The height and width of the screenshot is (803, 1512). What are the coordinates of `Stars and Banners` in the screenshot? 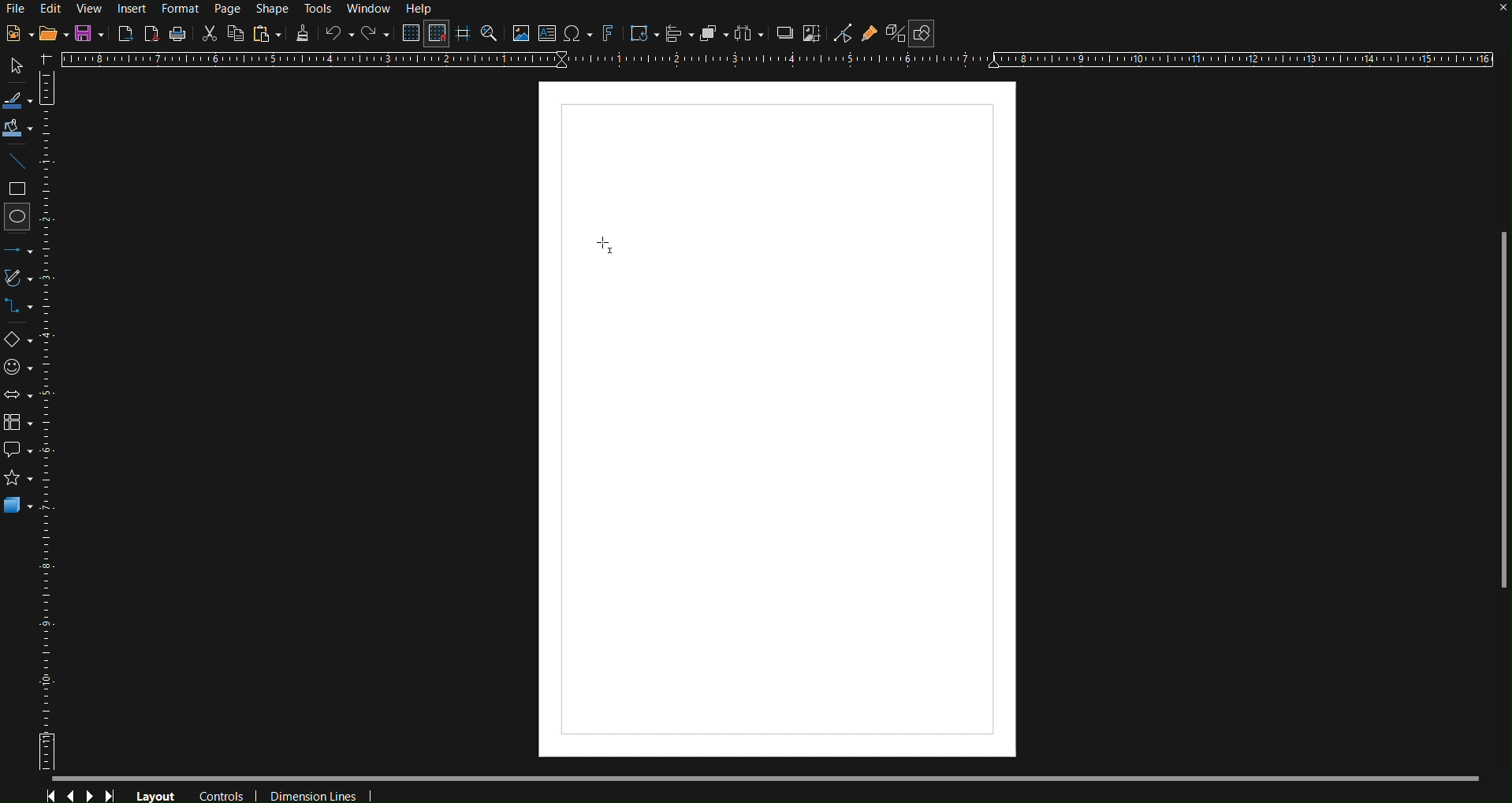 It's located at (16, 480).